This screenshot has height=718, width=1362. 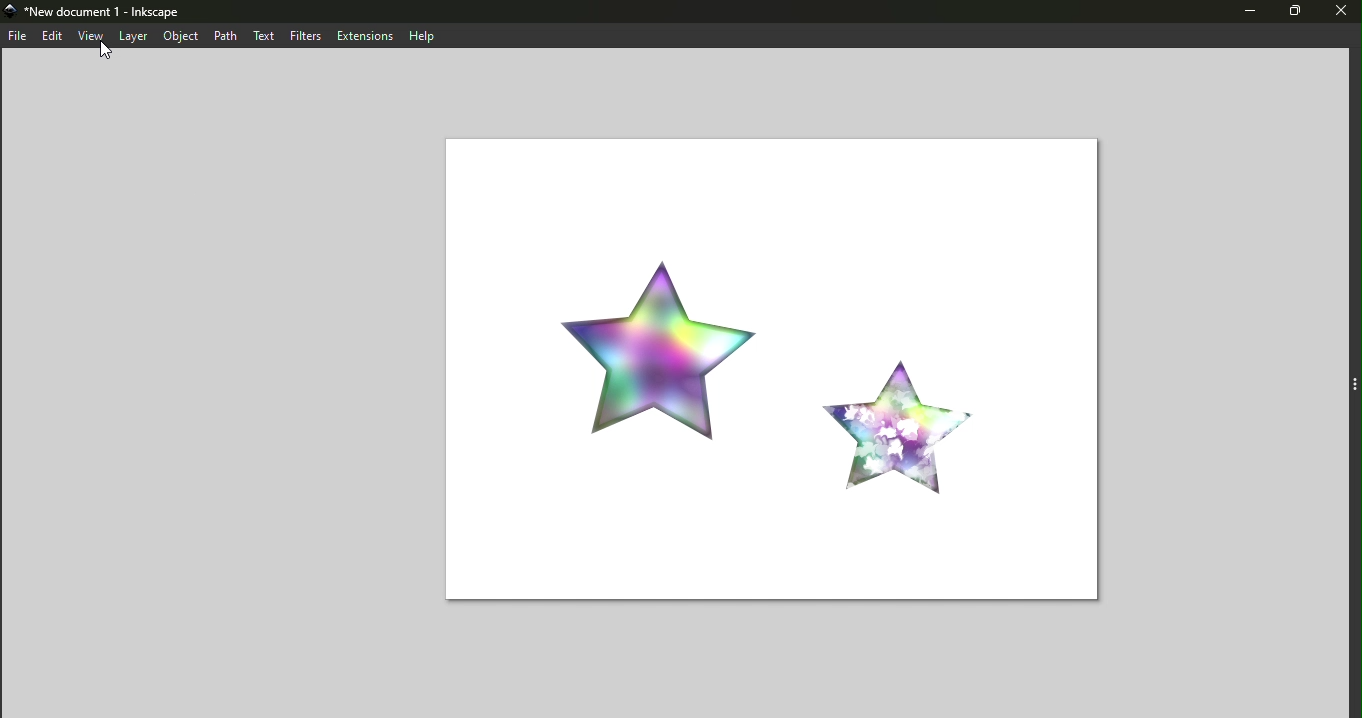 I want to click on Minimize, so click(x=1239, y=13).